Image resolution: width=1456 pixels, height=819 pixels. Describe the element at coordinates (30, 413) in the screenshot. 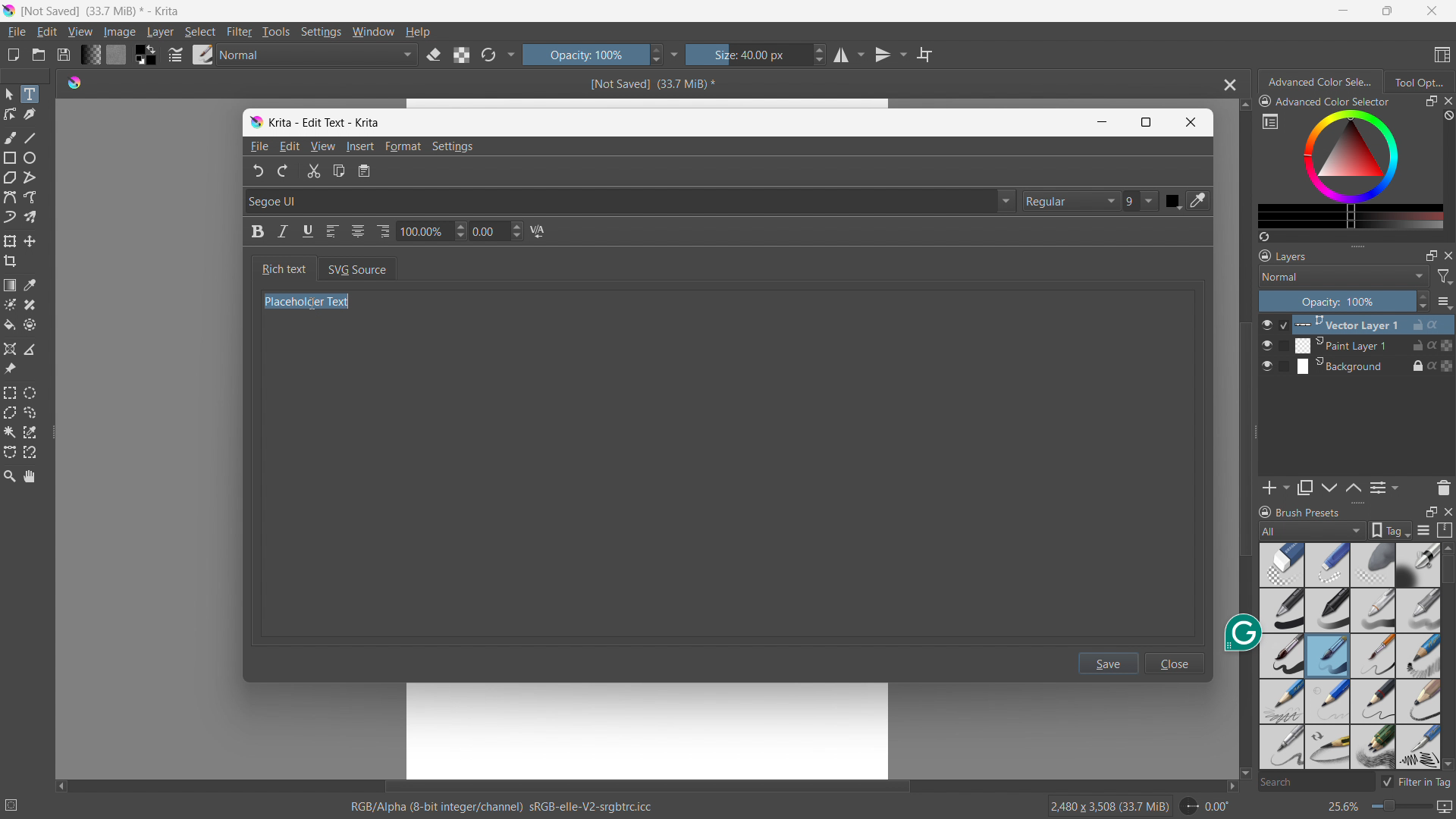

I see `freehand selection tool` at that location.